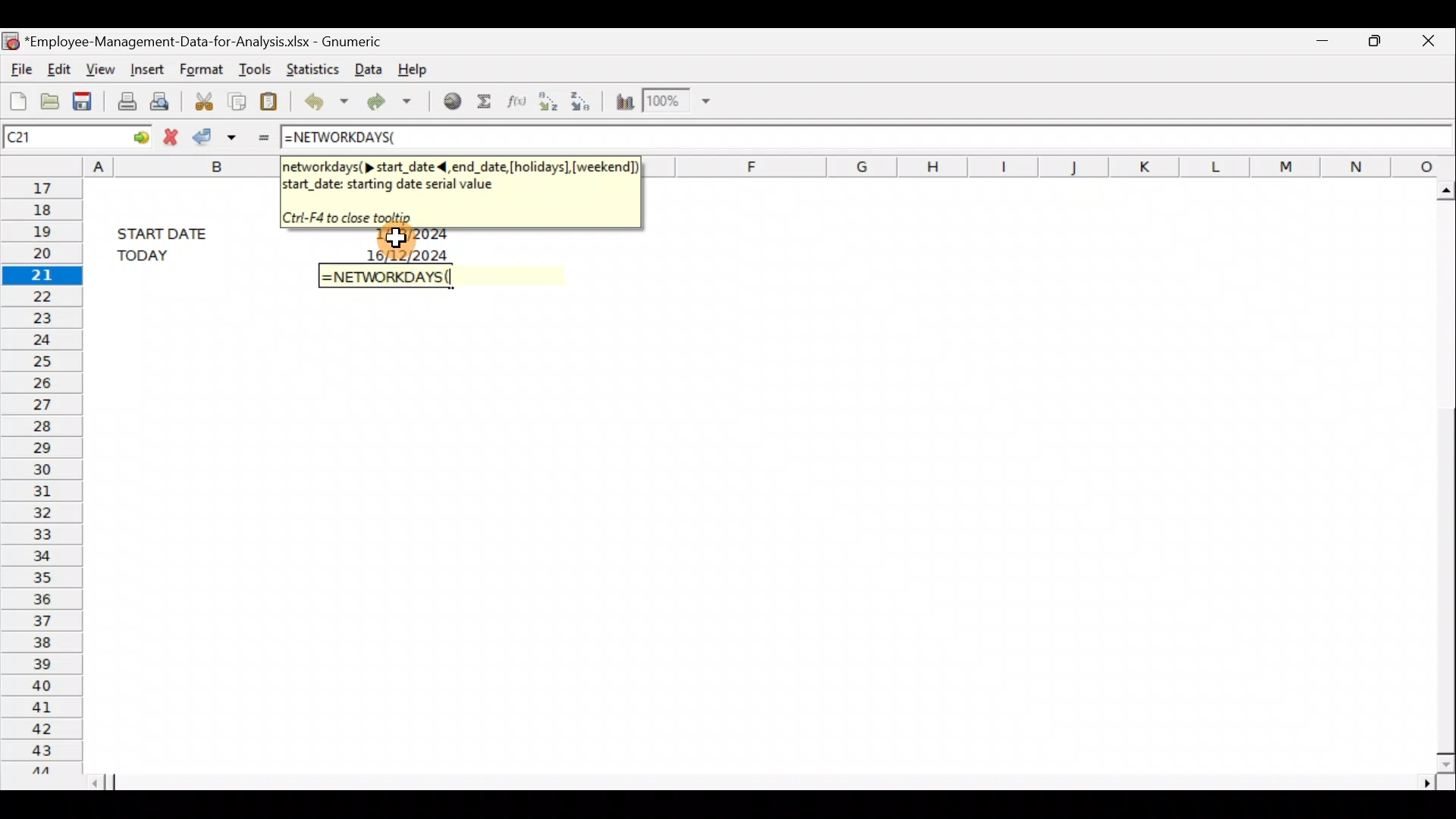 This screenshot has width=1456, height=819. Describe the element at coordinates (1323, 44) in the screenshot. I see `Minimize` at that location.